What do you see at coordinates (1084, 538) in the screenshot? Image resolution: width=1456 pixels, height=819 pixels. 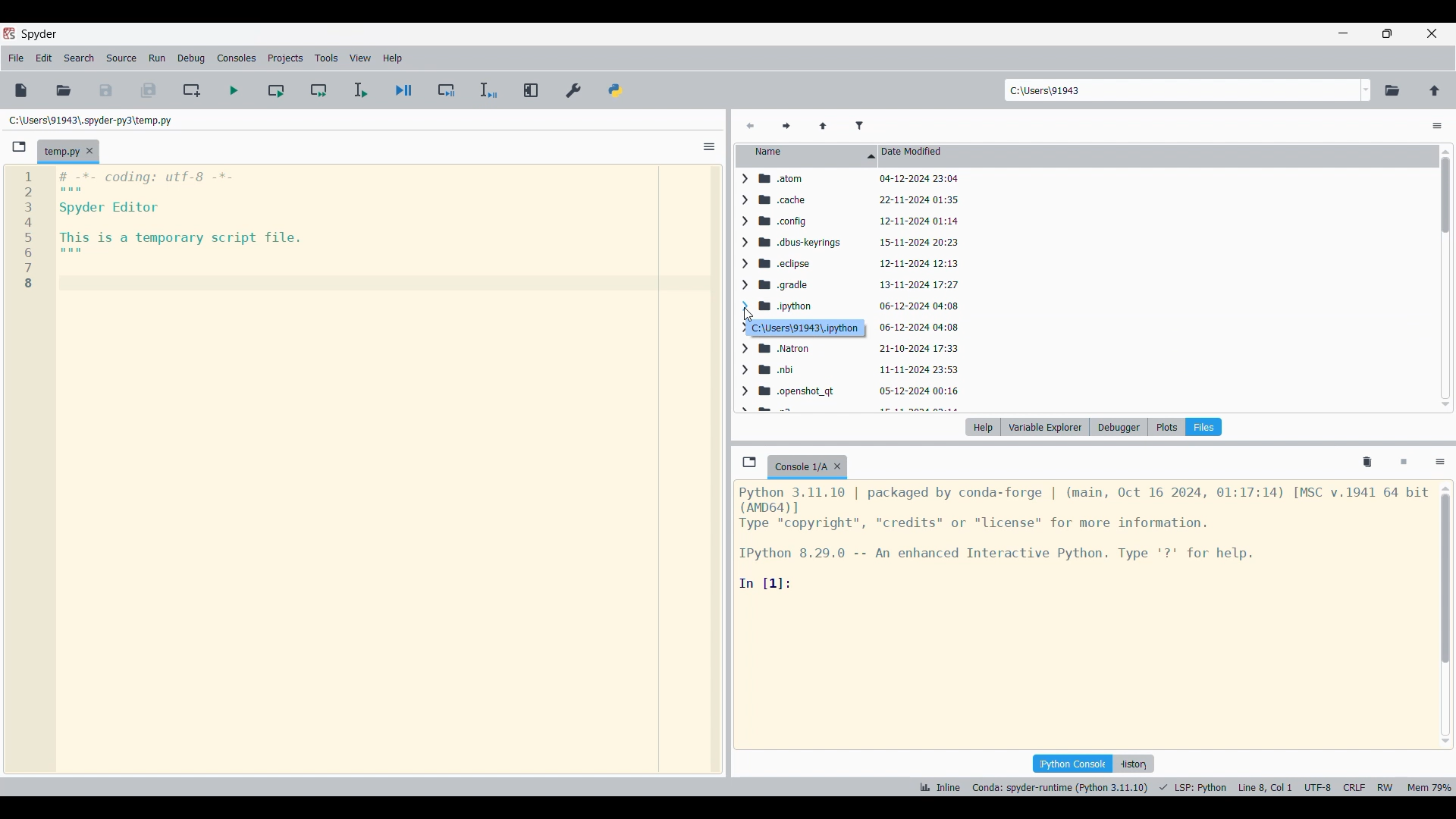 I see `Code details` at bounding box center [1084, 538].